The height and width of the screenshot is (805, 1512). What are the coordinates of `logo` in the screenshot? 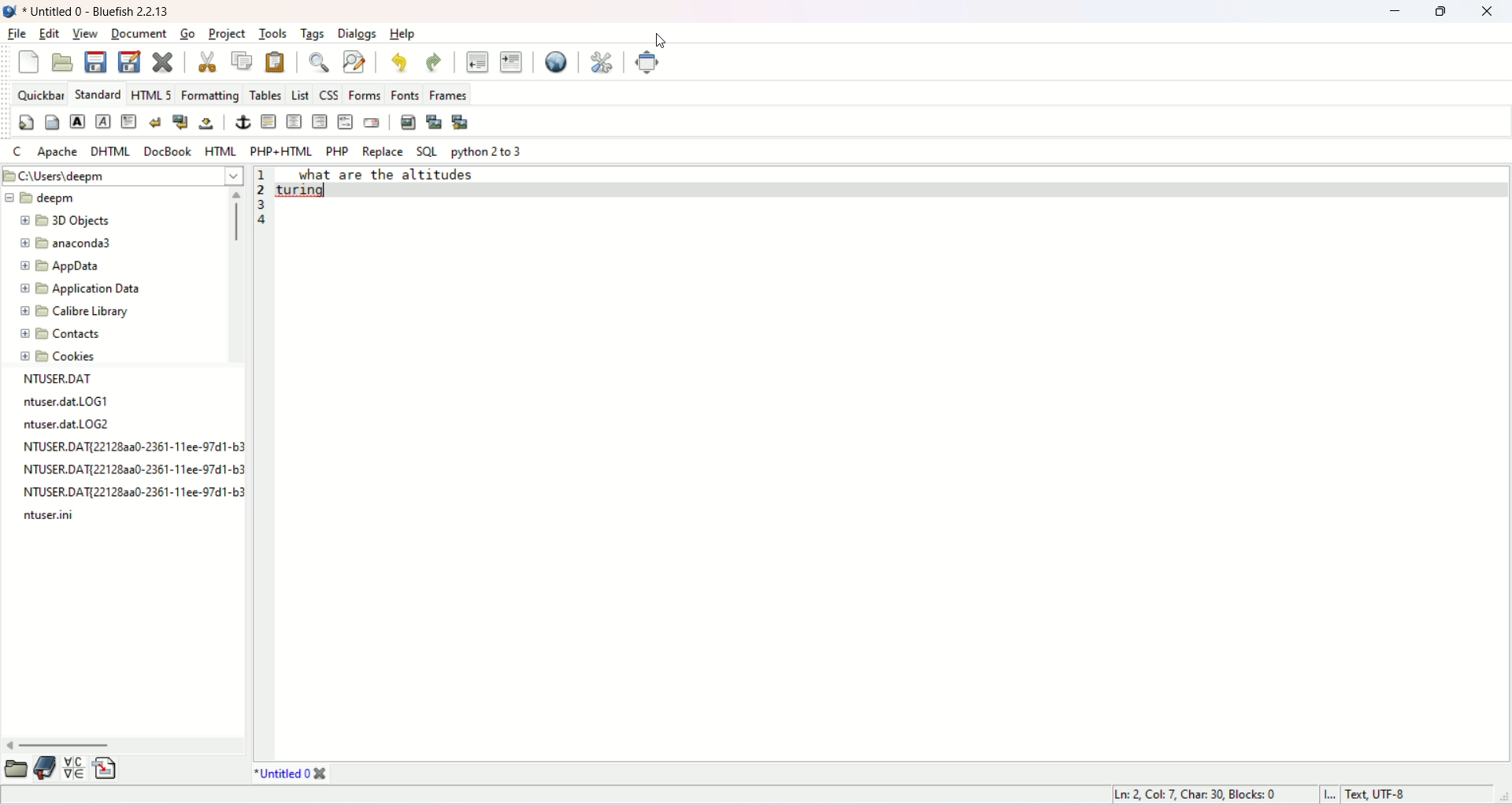 It's located at (9, 11).